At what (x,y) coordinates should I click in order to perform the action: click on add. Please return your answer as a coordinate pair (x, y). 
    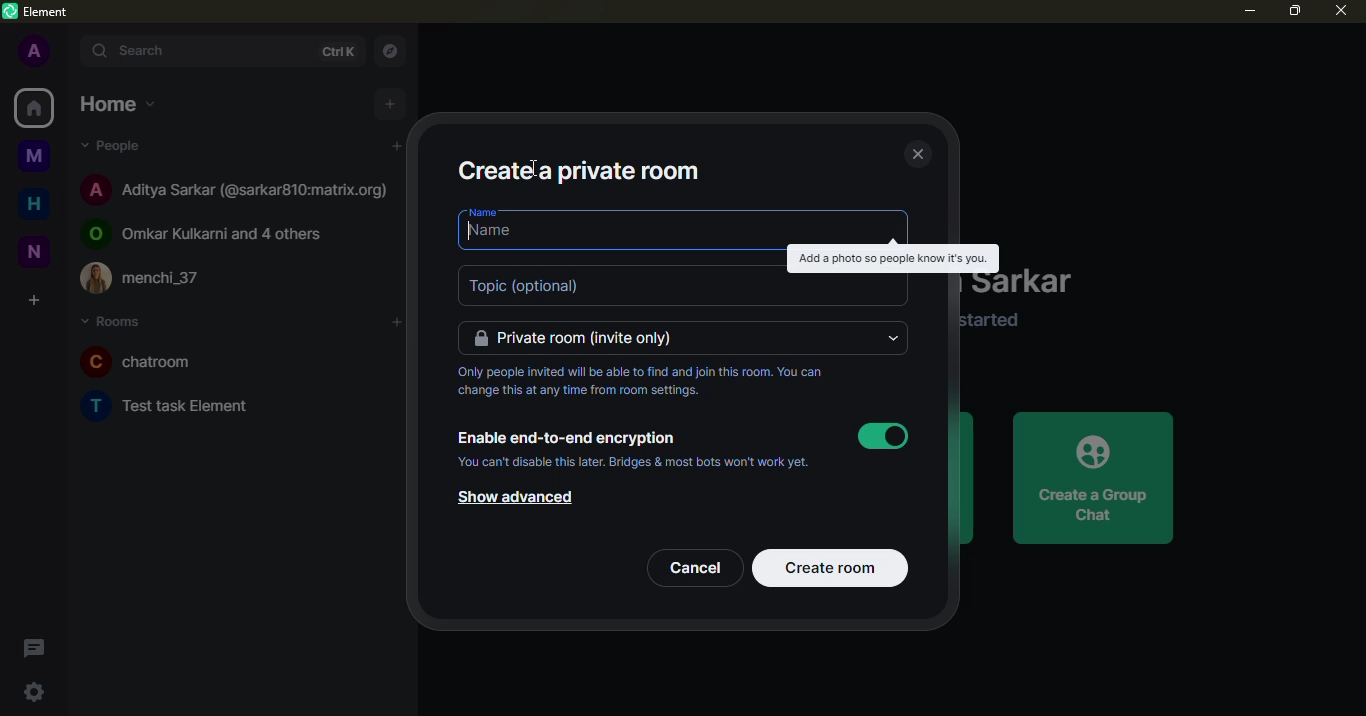
    Looking at the image, I should click on (397, 321).